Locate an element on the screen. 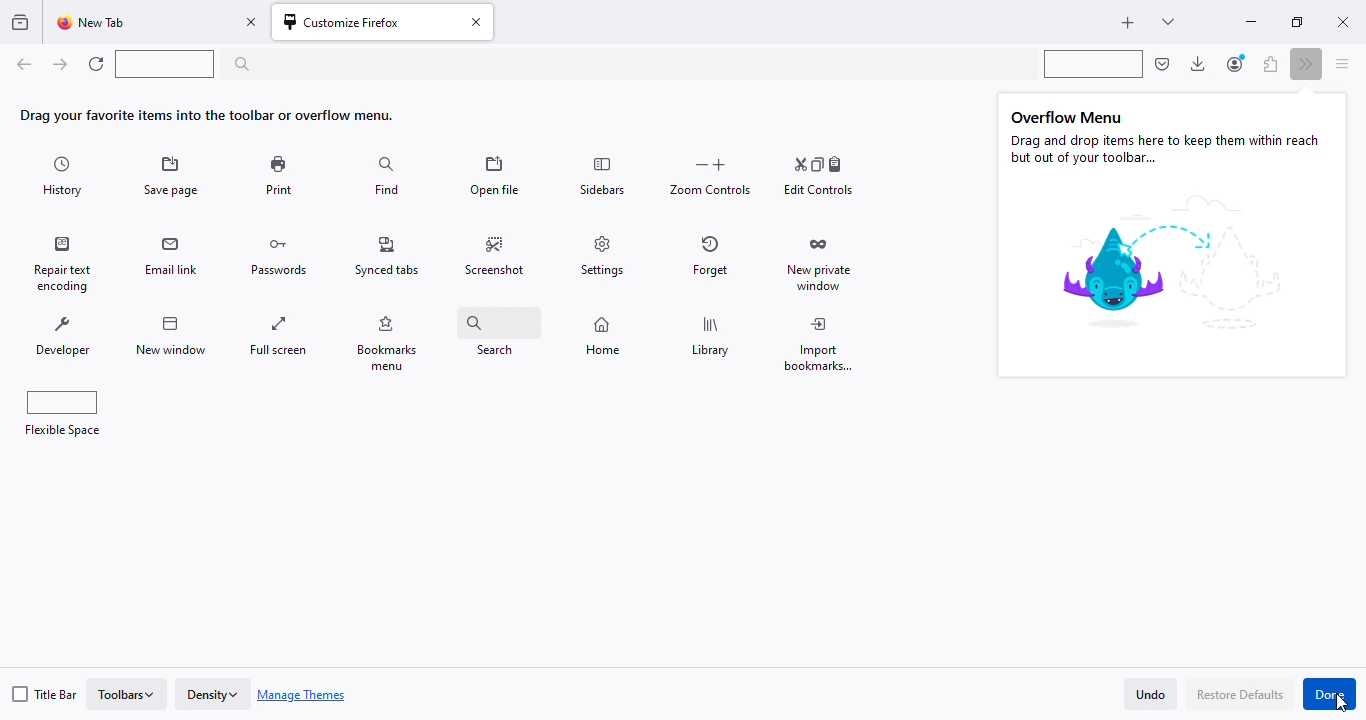 This screenshot has height=720, width=1366. minimize is located at coordinates (1251, 22).